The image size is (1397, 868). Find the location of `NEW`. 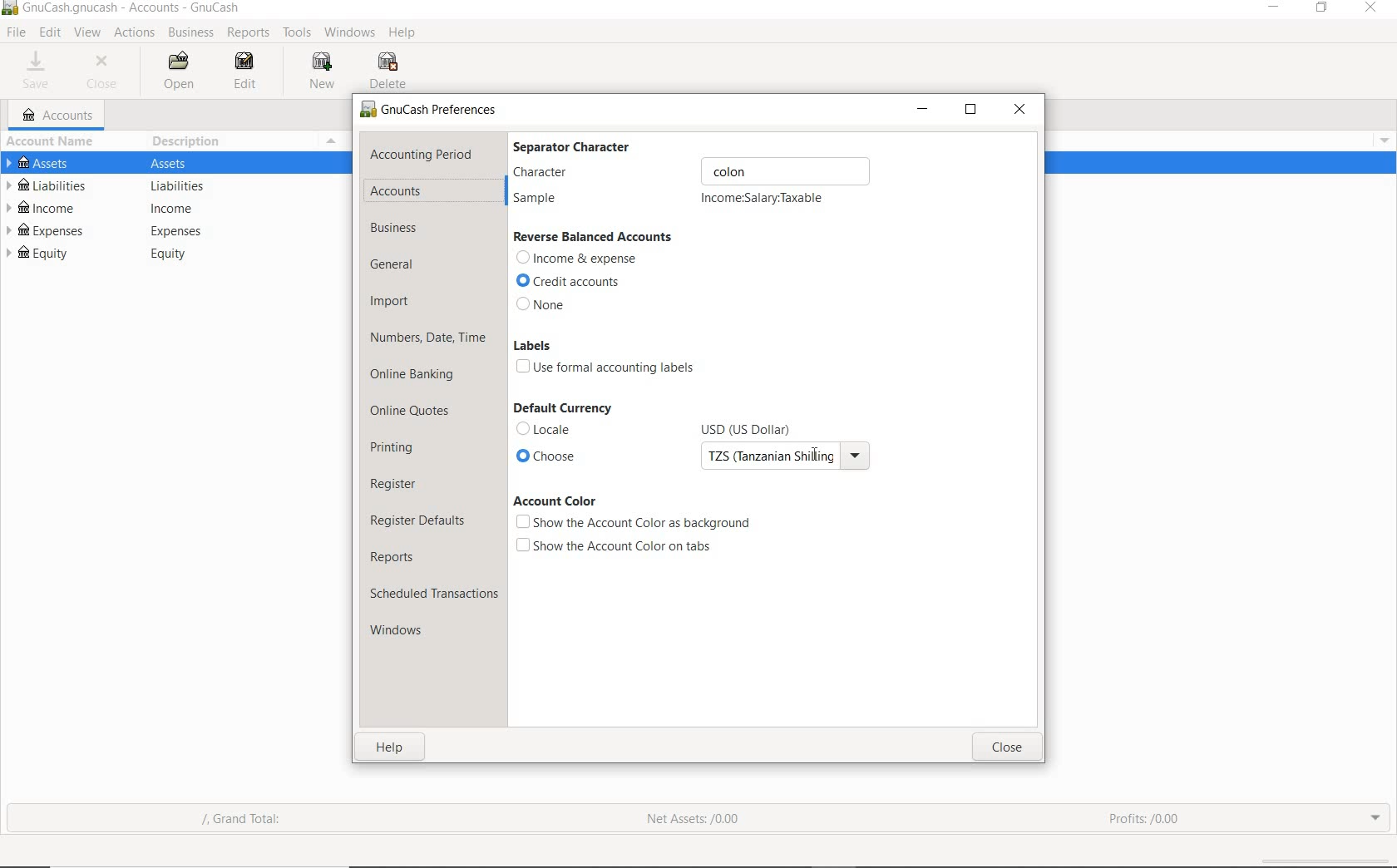

NEW is located at coordinates (323, 72).